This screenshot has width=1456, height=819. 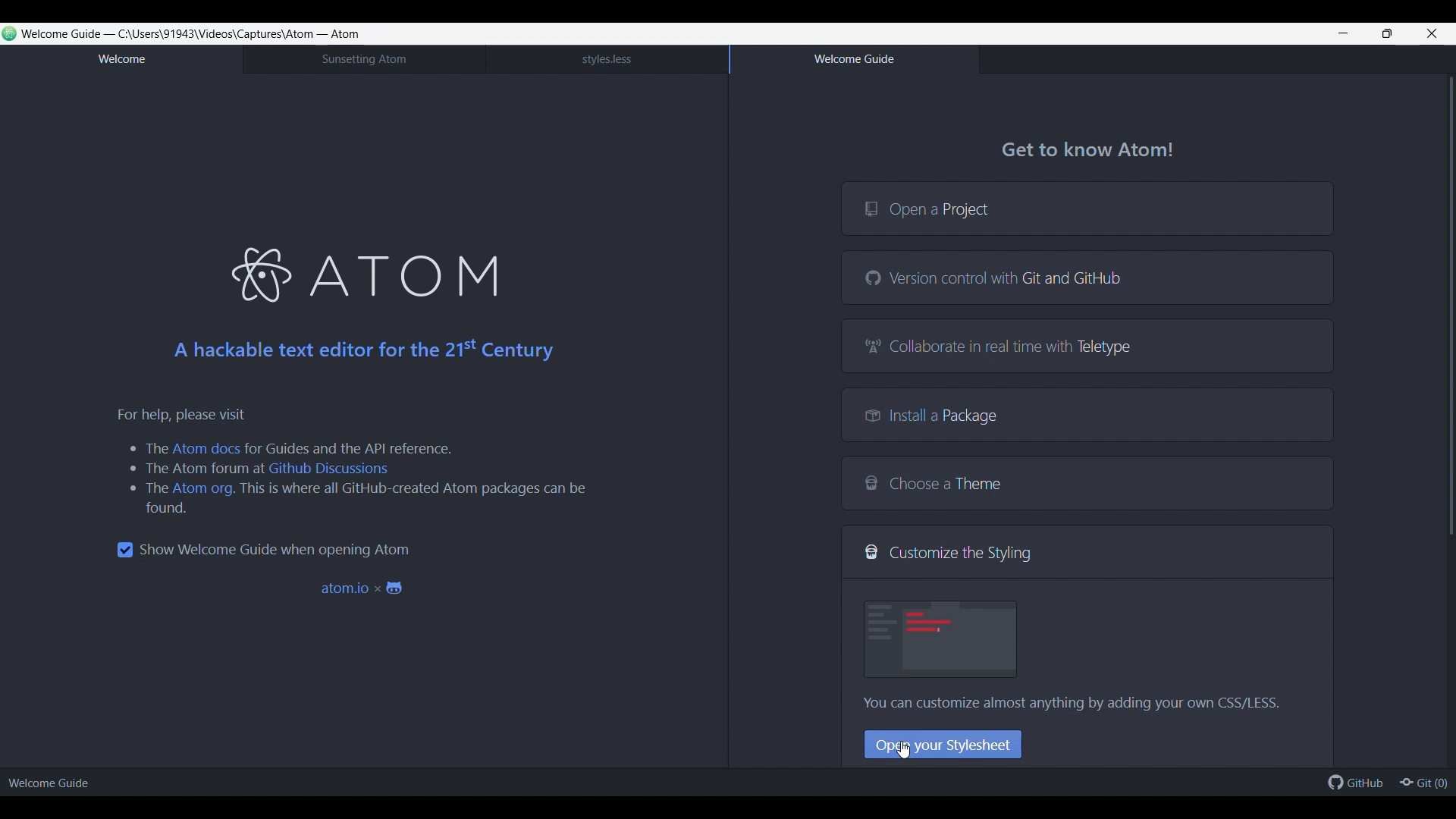 What do you see at coordinates (420, 491) in the screenshot?
I see `this is where all GitHub-created Atom packages can be` at bounding box center [420, 491].